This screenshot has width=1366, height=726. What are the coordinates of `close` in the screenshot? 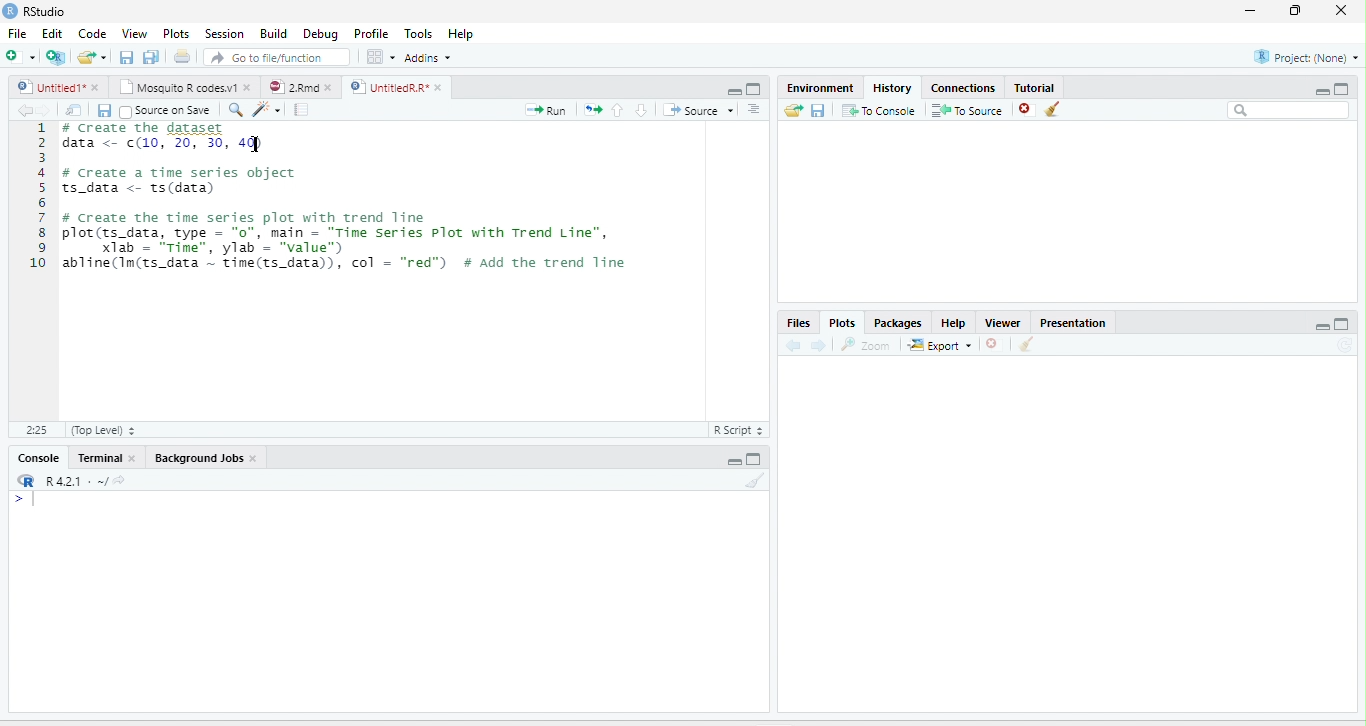 It's located at (254, 458).